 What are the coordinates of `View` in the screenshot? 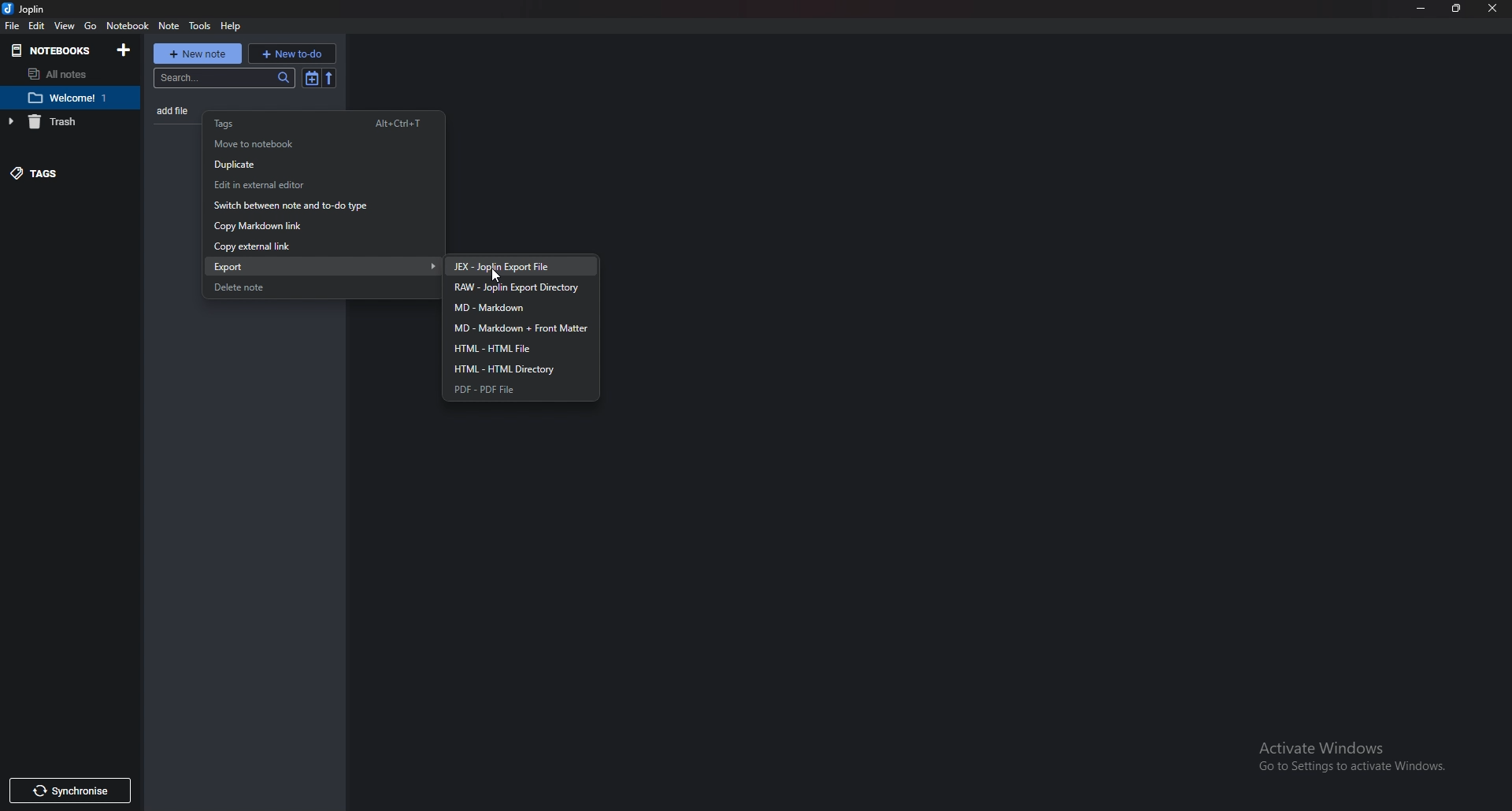 It's located at (66, 25).